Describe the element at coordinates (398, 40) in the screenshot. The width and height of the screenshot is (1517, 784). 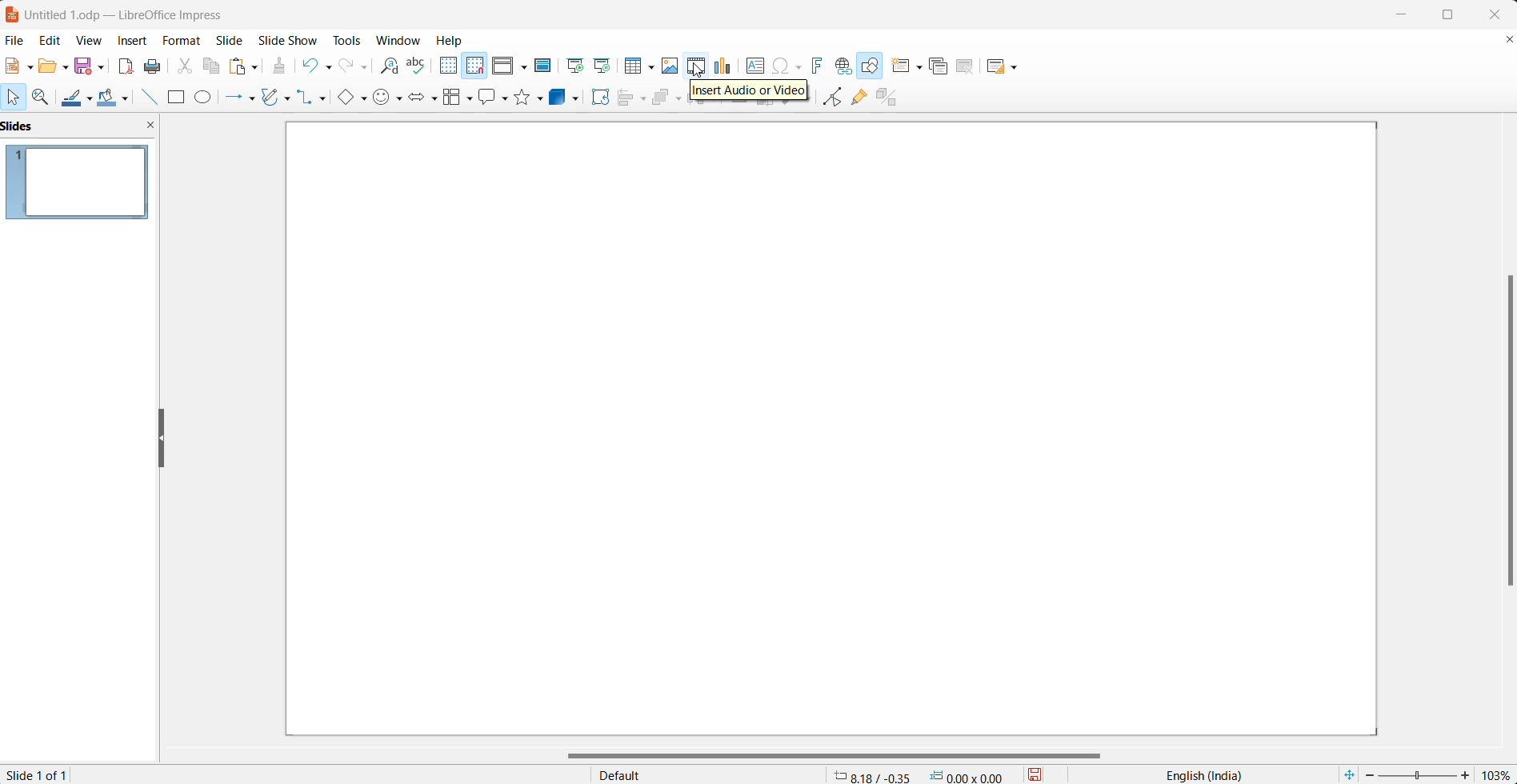
I see `window` at that location.